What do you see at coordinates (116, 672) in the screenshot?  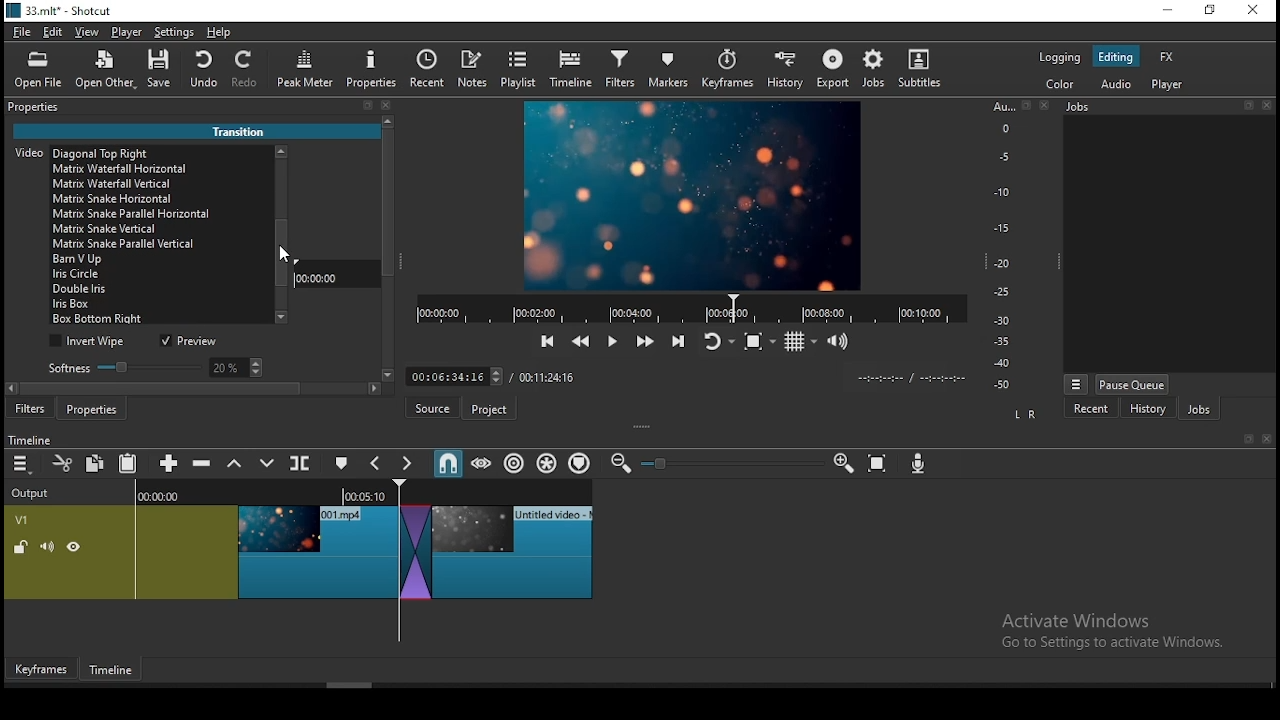 I see `Timeframe` at bounding box center [116, 672].